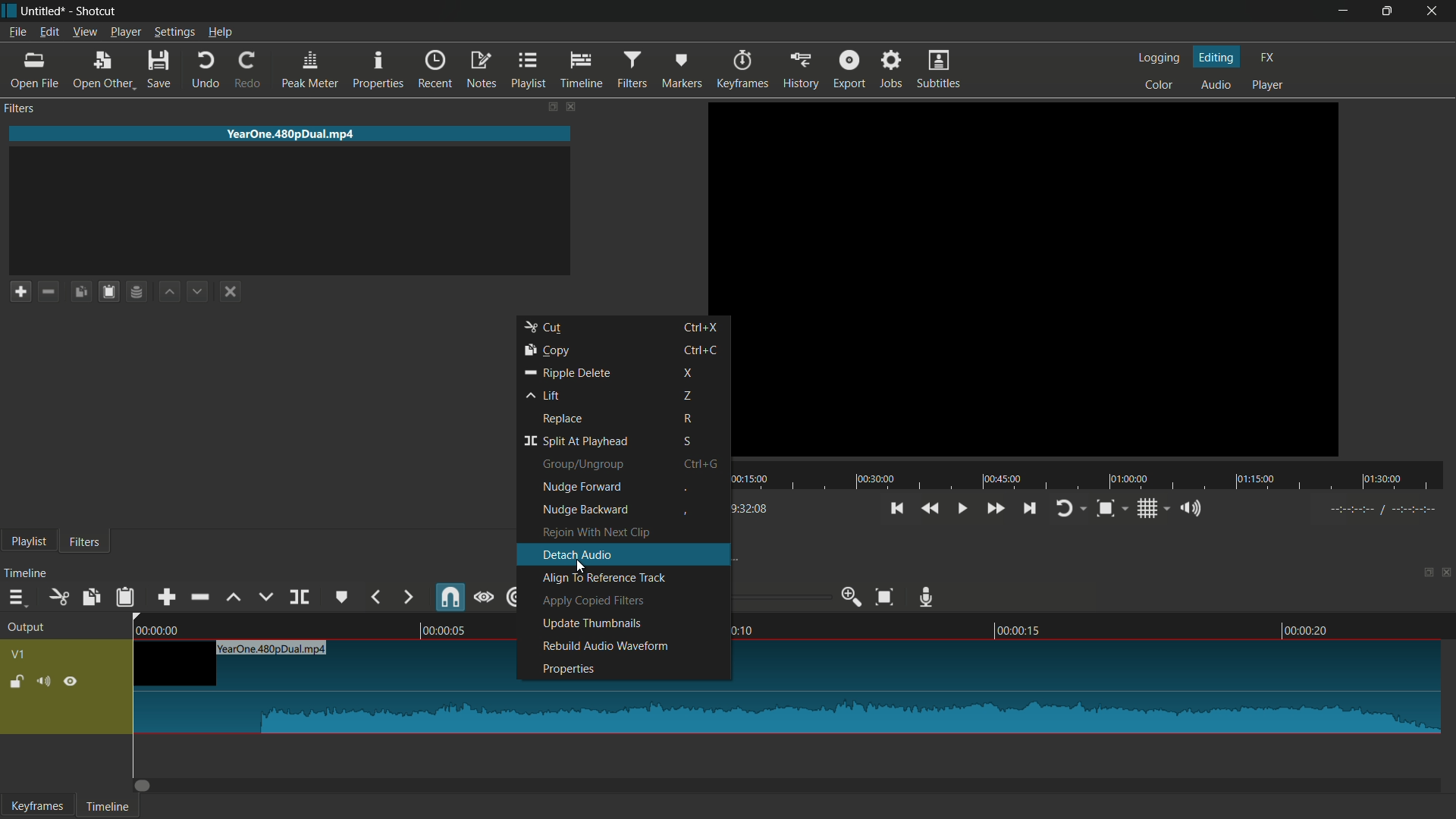 This screenshot has height=819, width=1456. What do you see at coordinates (702, 350) in the screenshot?
I see `keyboard shortcut` at bounding box center [702, 350].